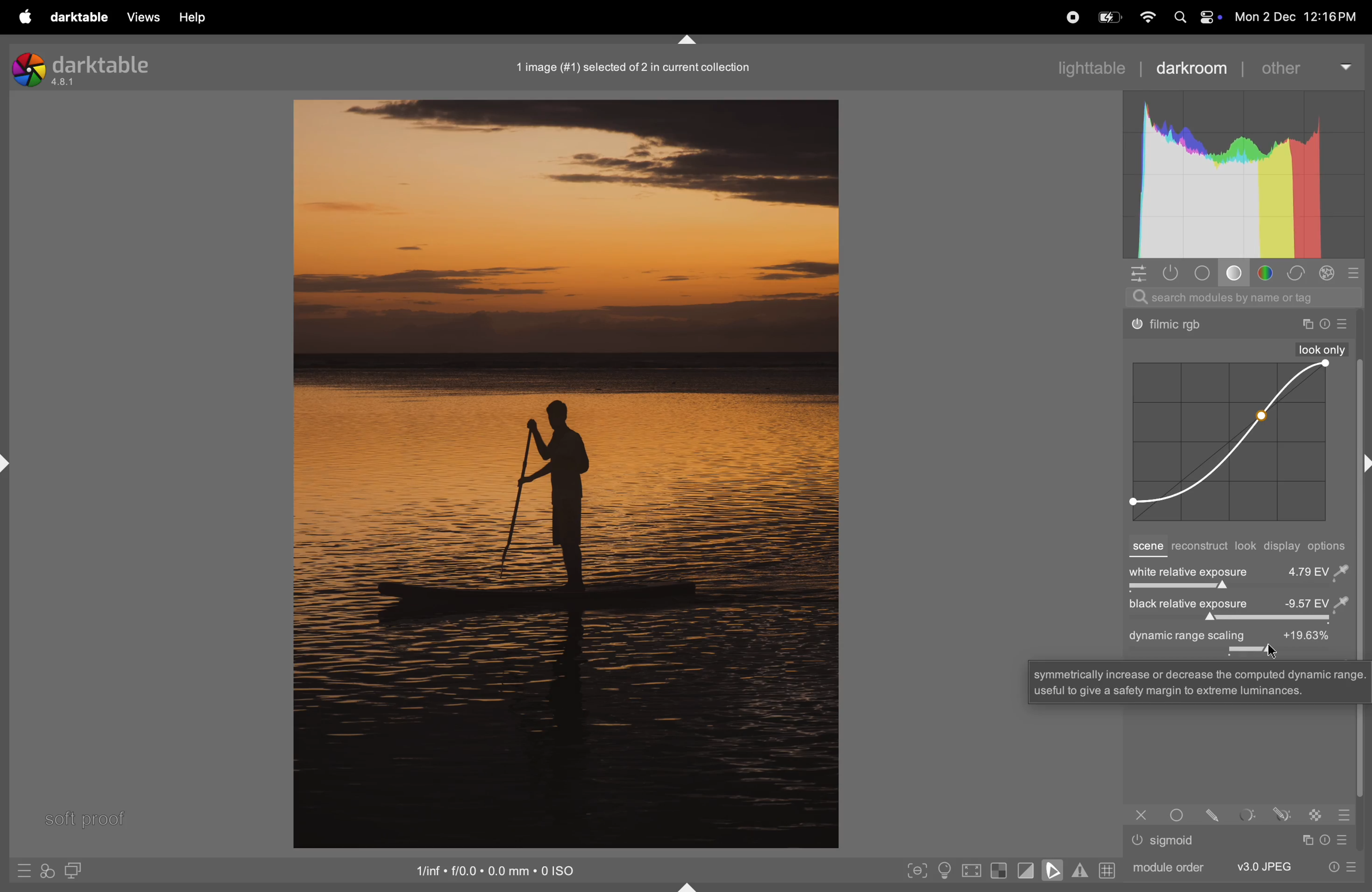 The image size is (1372, 892). Describe the element at coordinates (1194, 18) in the screenshot. I see `apple widgets` at that location.